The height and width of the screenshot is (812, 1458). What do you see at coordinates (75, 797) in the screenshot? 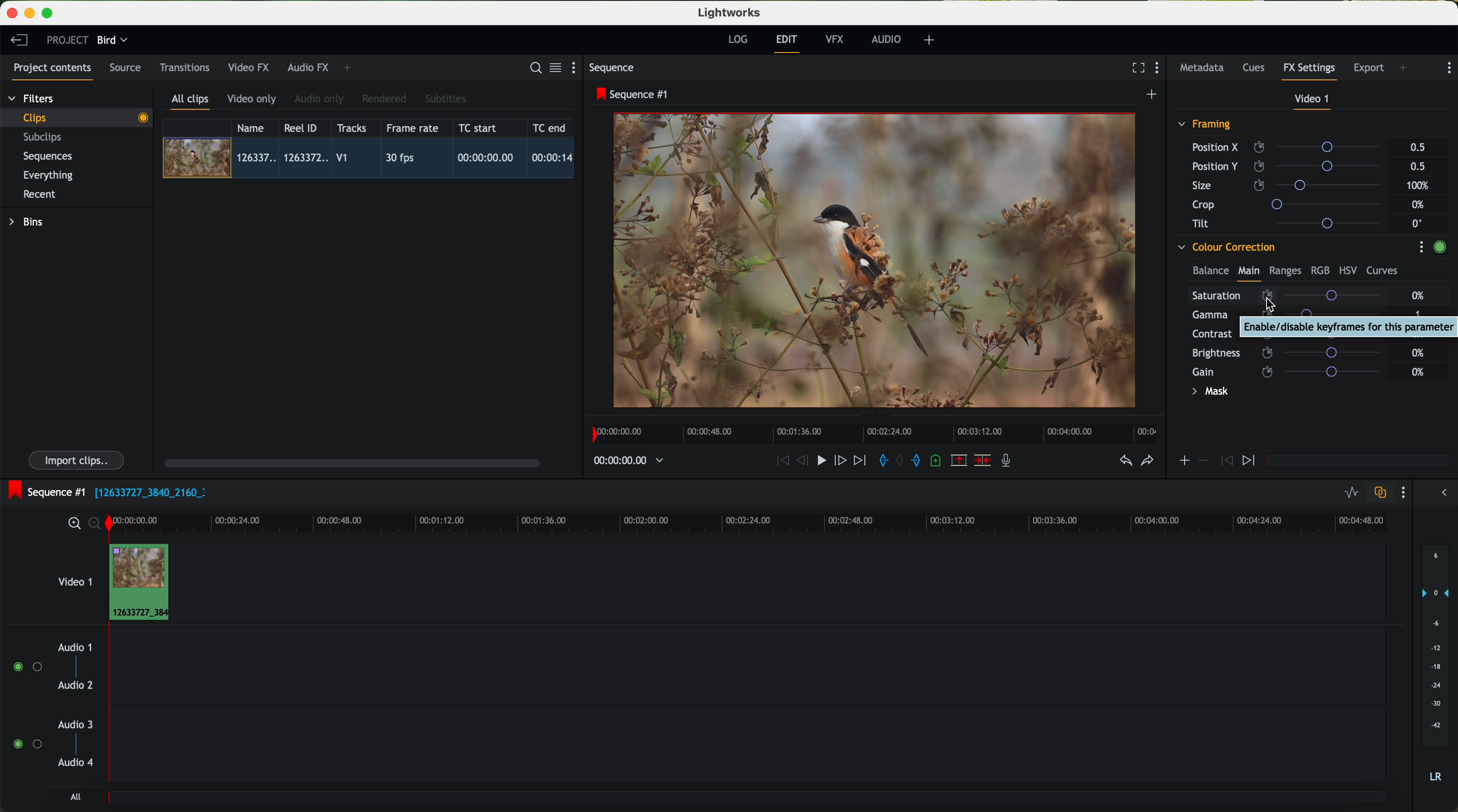
I see `all` at bounding box center [75, 797].